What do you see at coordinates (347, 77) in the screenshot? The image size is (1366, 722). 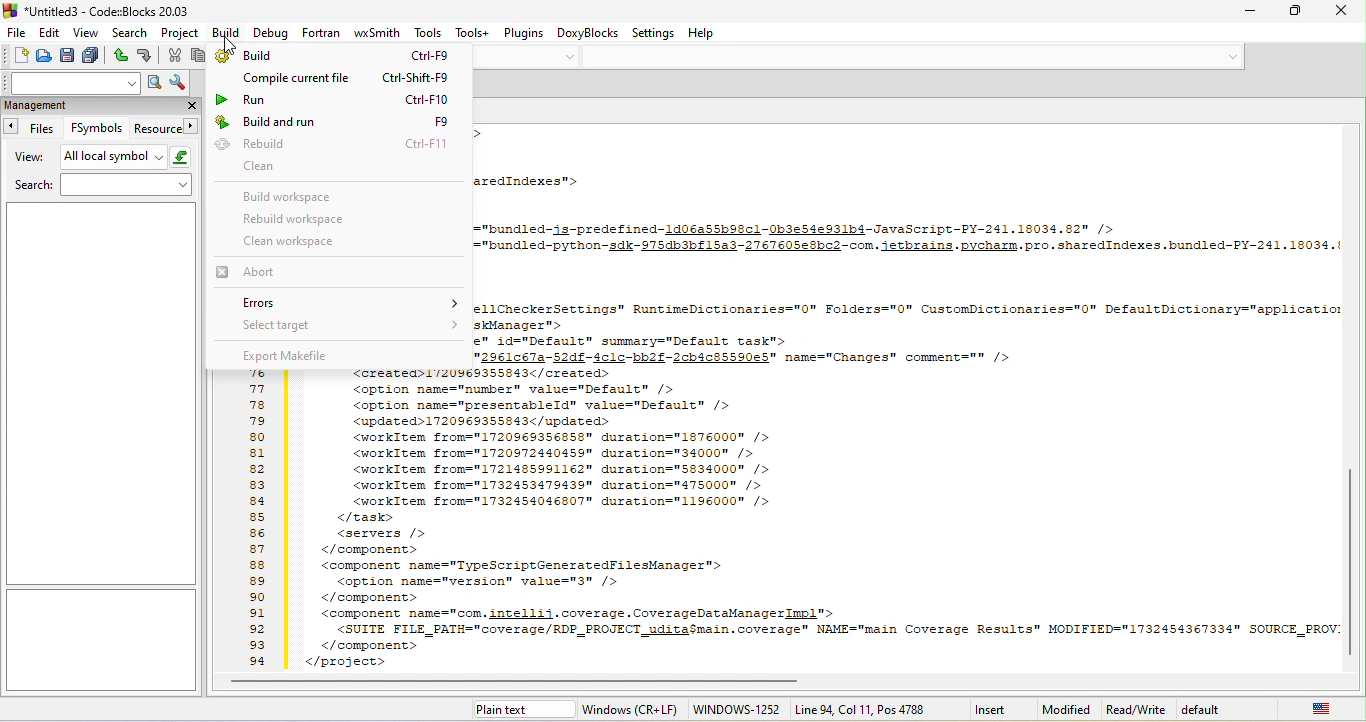 I see `compile current file` at bounding box center [347, 77].